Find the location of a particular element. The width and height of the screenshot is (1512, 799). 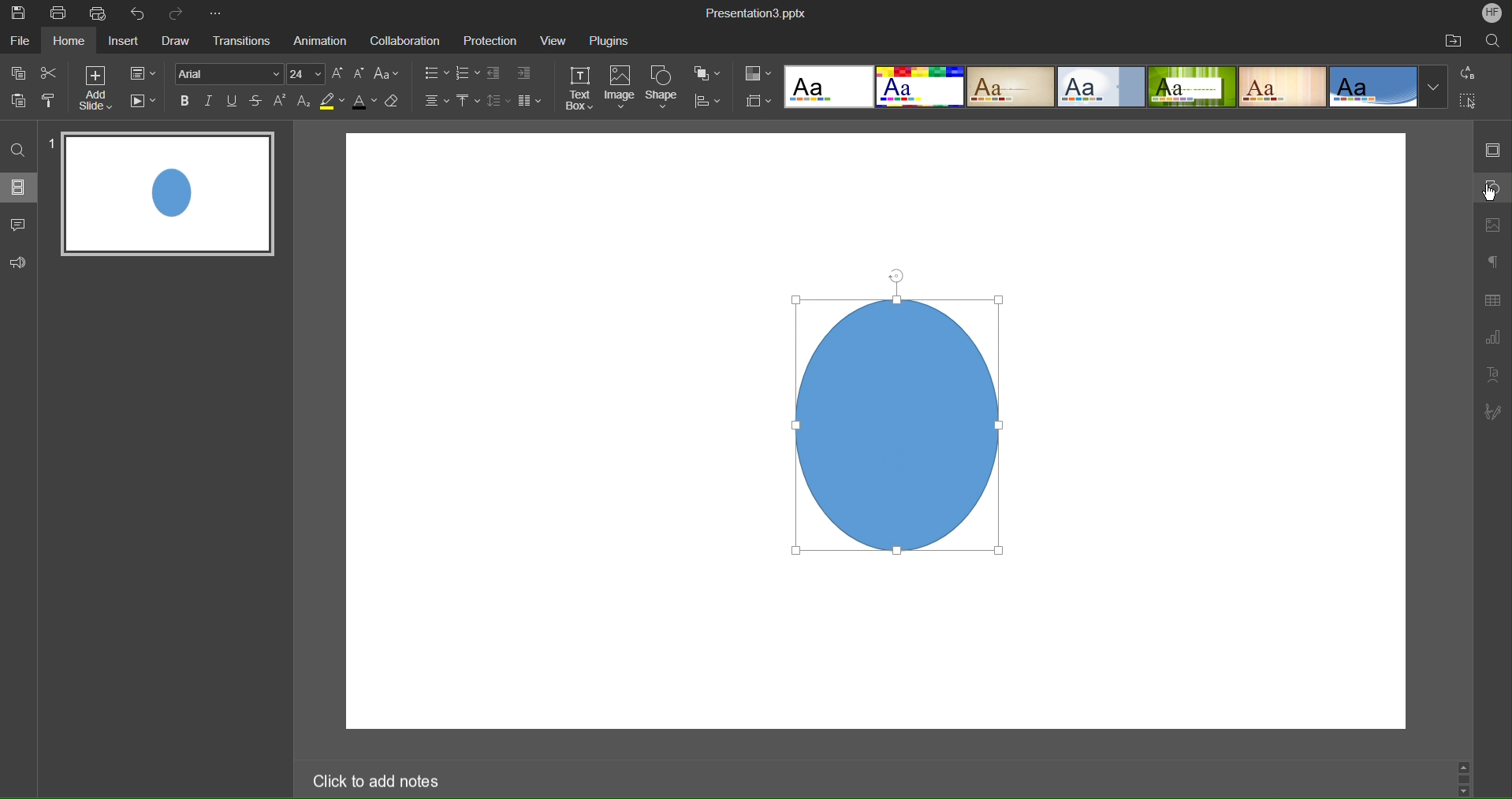

Align is located at coordinates (713, 102).